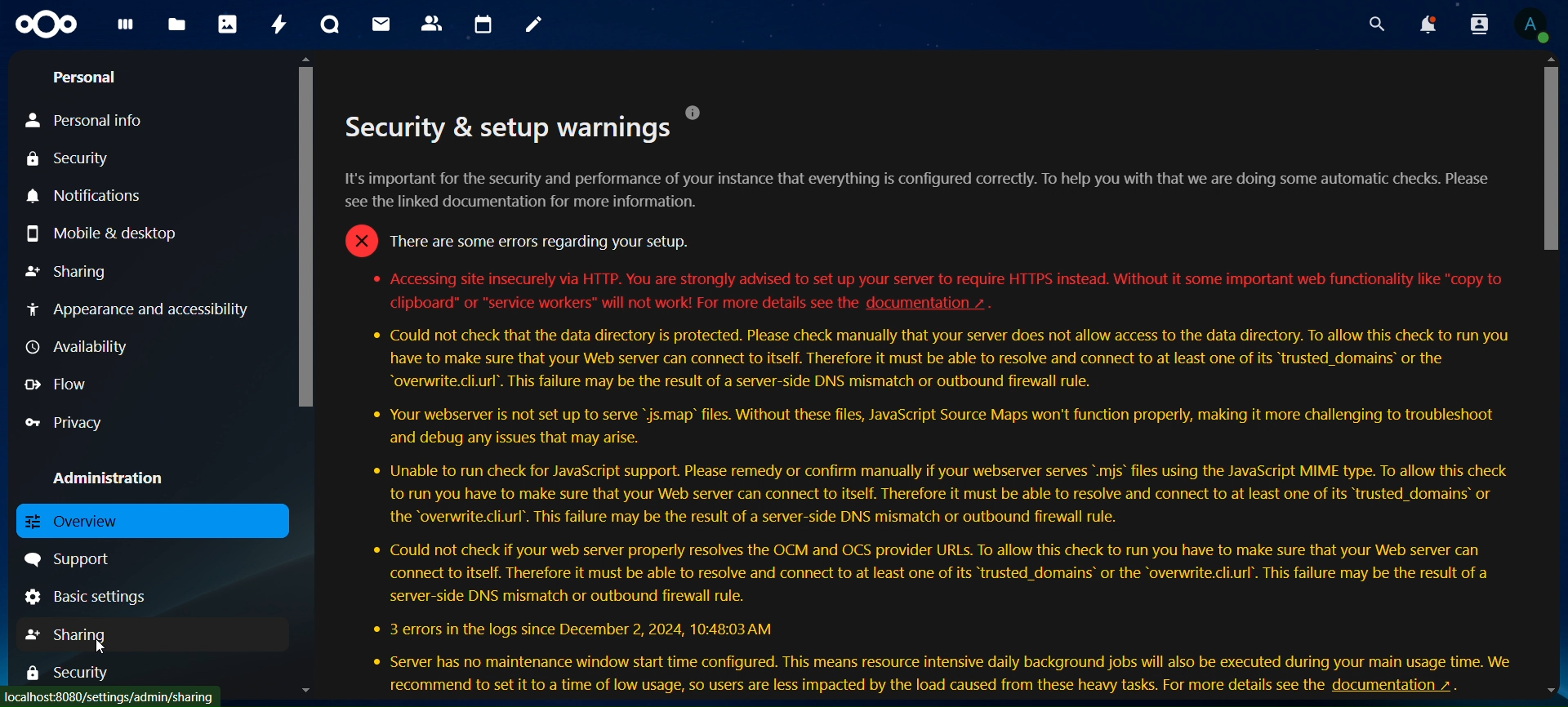  Describe the element at coordinates (73, 632) in the screenshot. I see `sharing` at that location.